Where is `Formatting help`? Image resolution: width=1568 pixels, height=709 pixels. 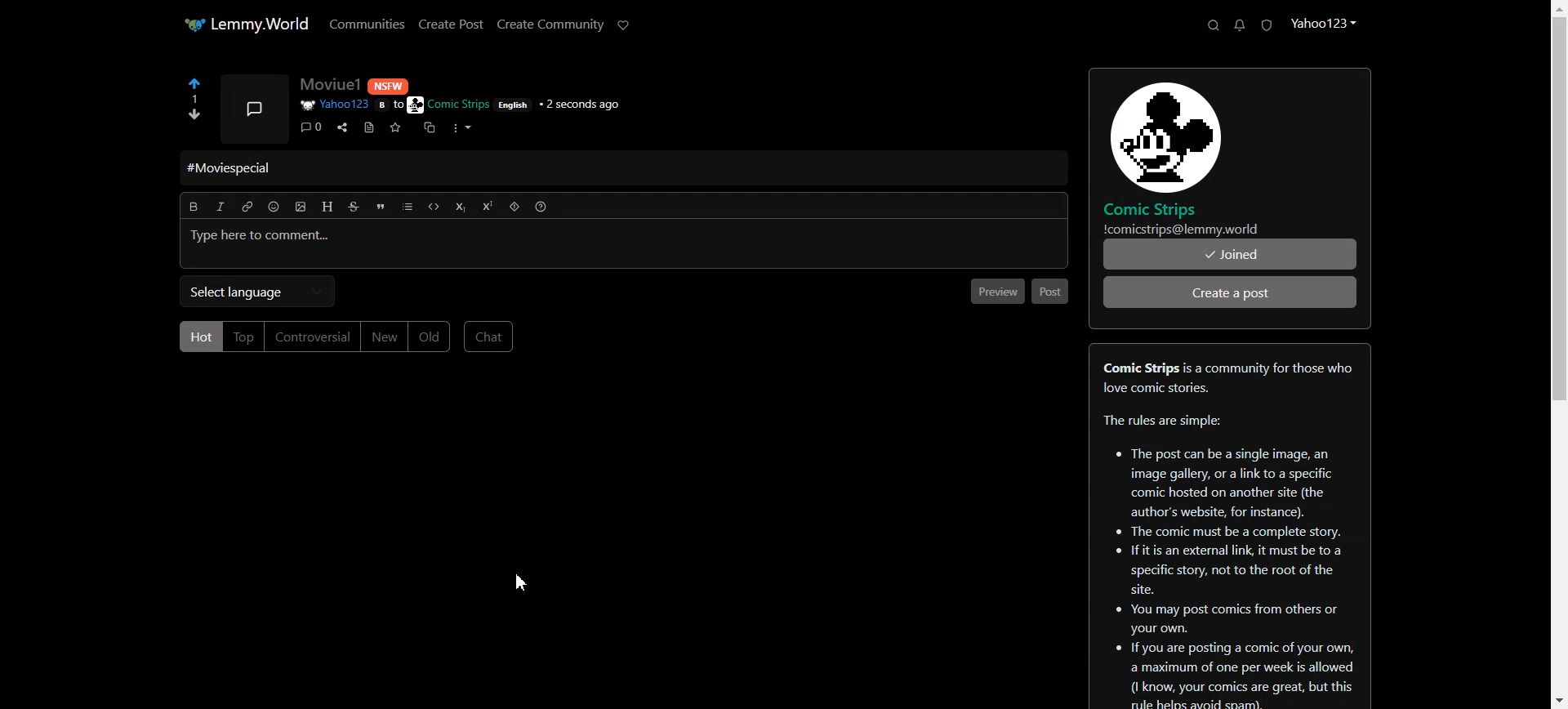 Formatting help is located at coordinates (537, 207).